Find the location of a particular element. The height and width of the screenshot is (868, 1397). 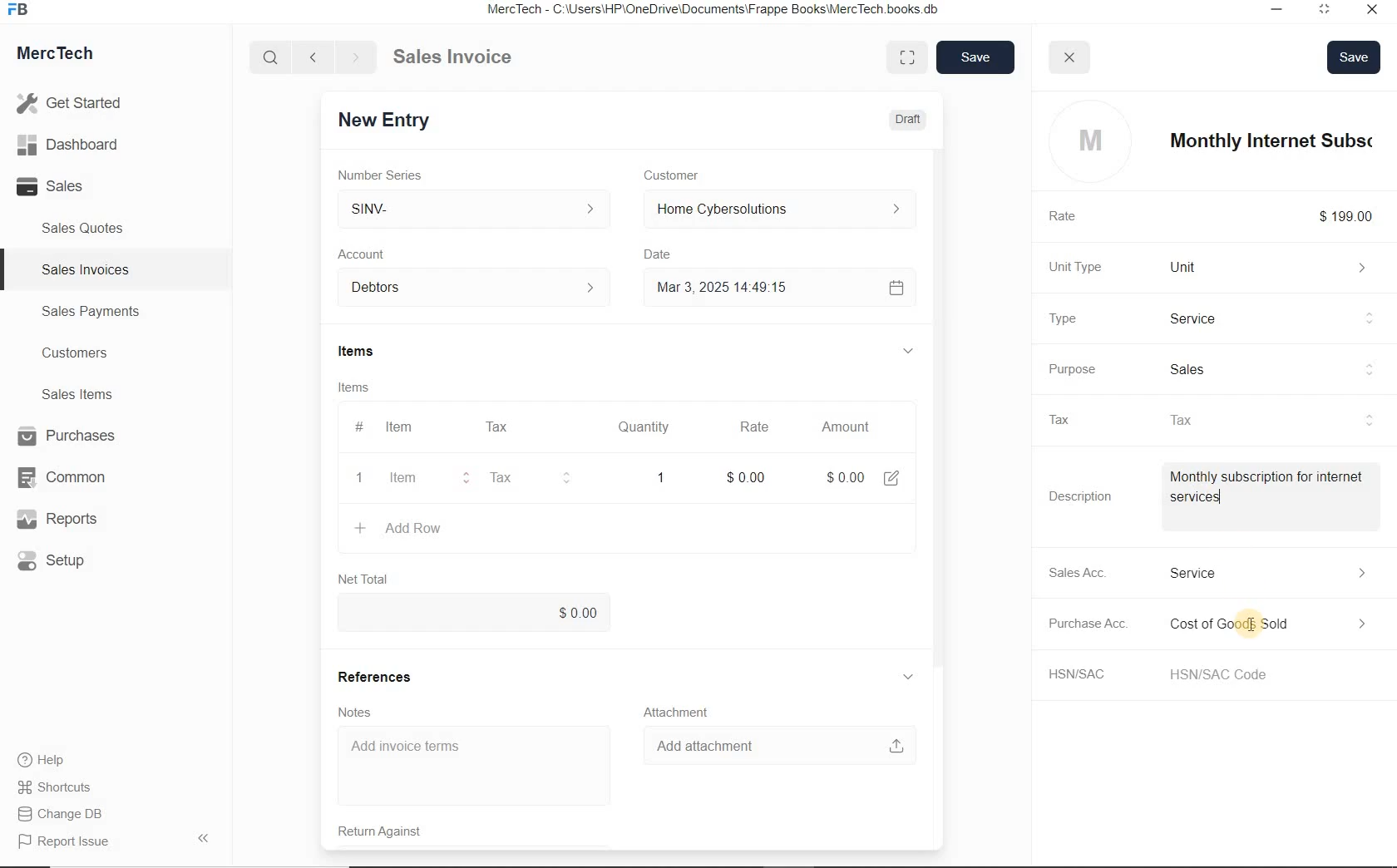

sales is located at coordinates (1267, 367).